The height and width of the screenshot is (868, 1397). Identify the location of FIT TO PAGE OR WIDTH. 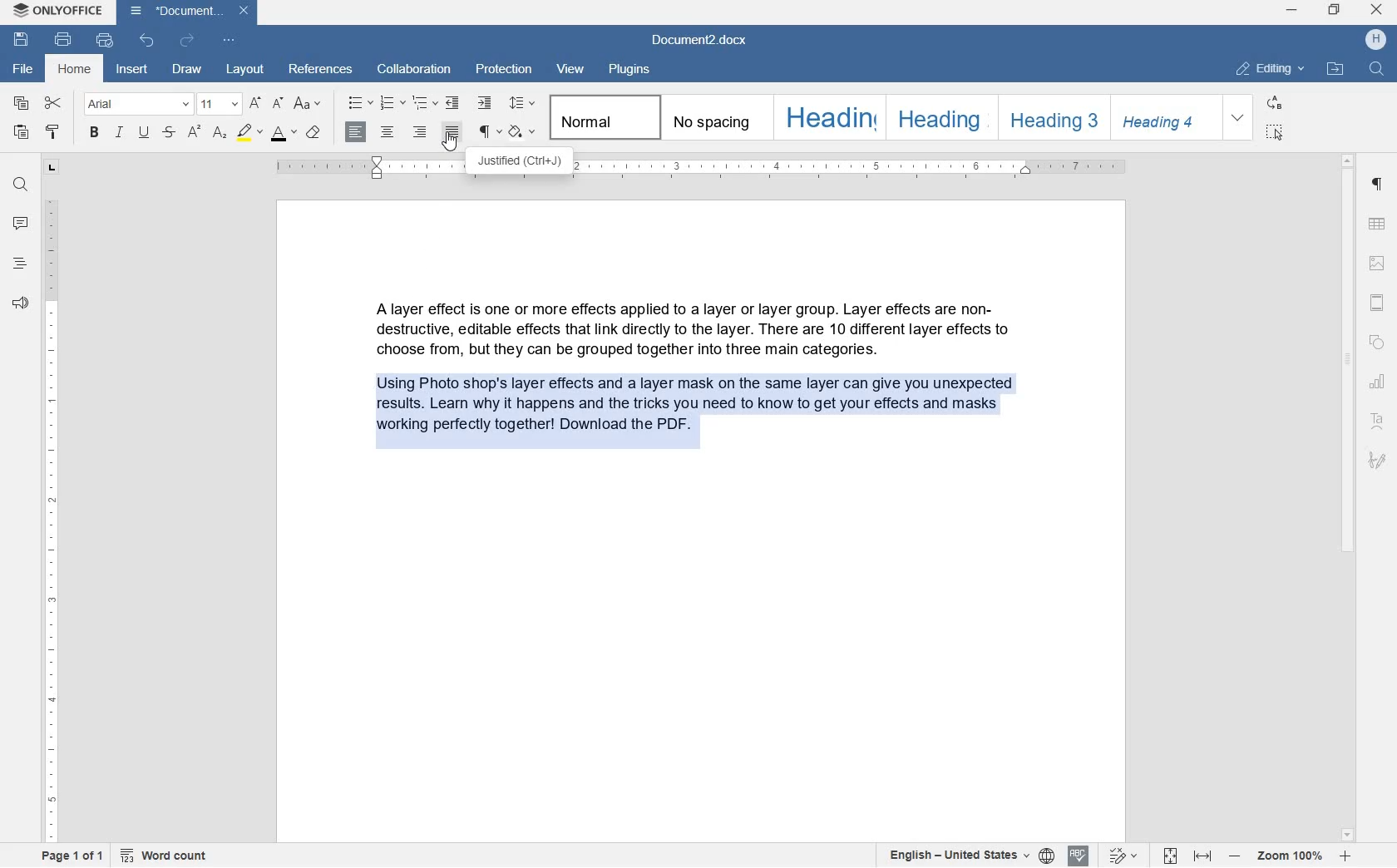
(1187, 856).